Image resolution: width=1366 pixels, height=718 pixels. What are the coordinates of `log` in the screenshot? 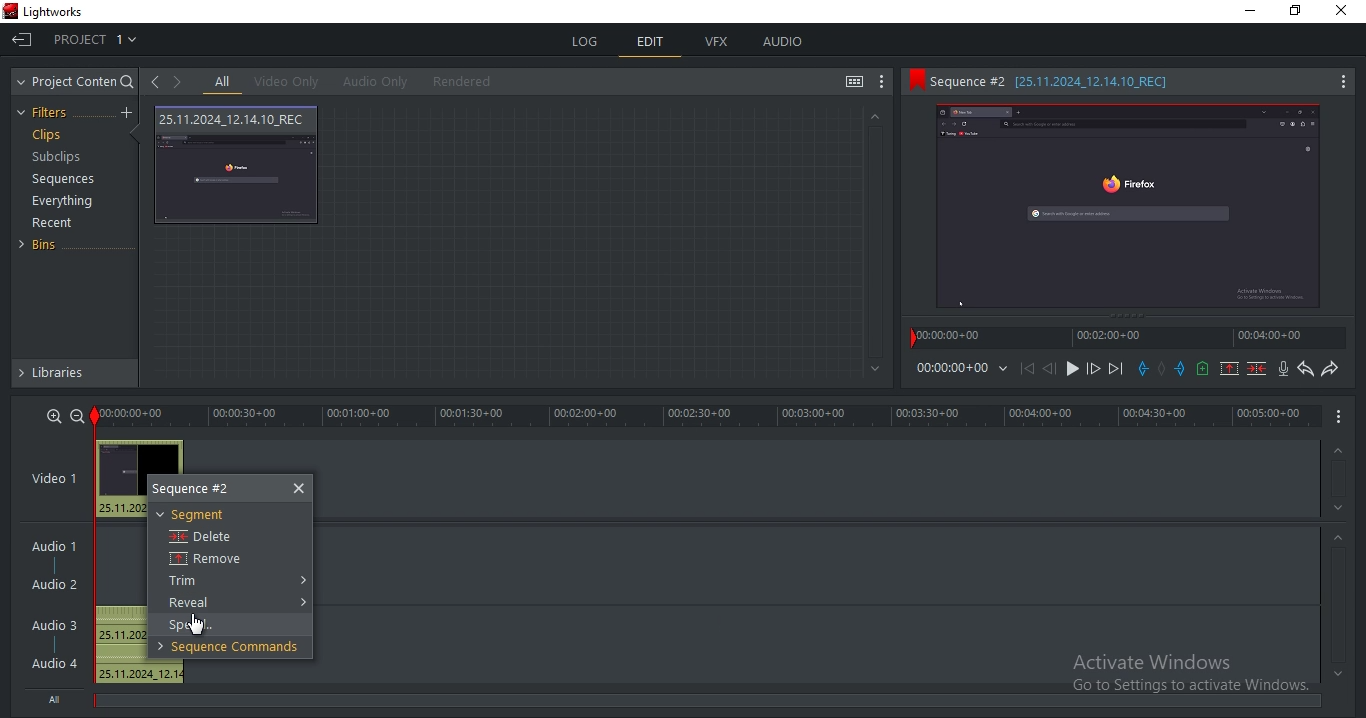 It's located at (586, 39).